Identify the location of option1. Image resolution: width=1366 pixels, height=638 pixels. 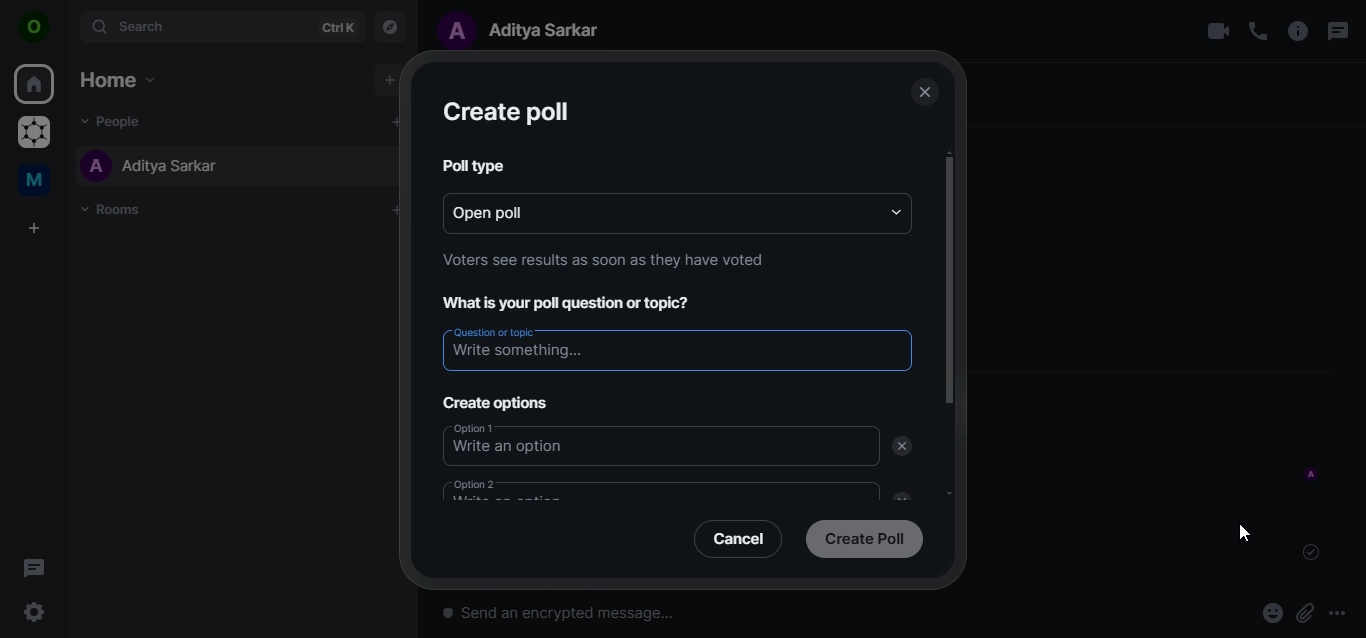
(562, 445).